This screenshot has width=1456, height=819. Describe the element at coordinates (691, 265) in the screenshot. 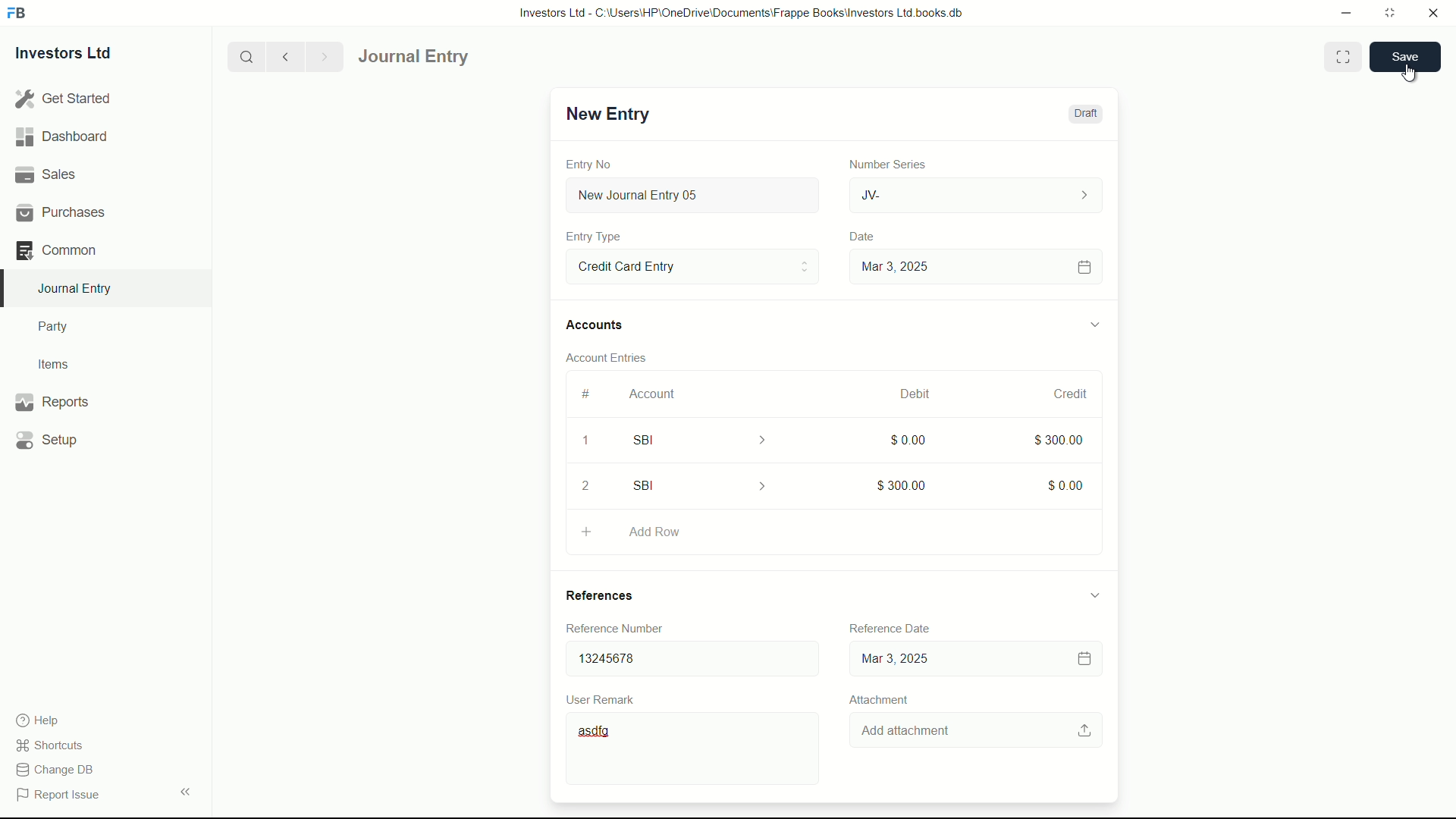

I see `Entry Type` at that location.